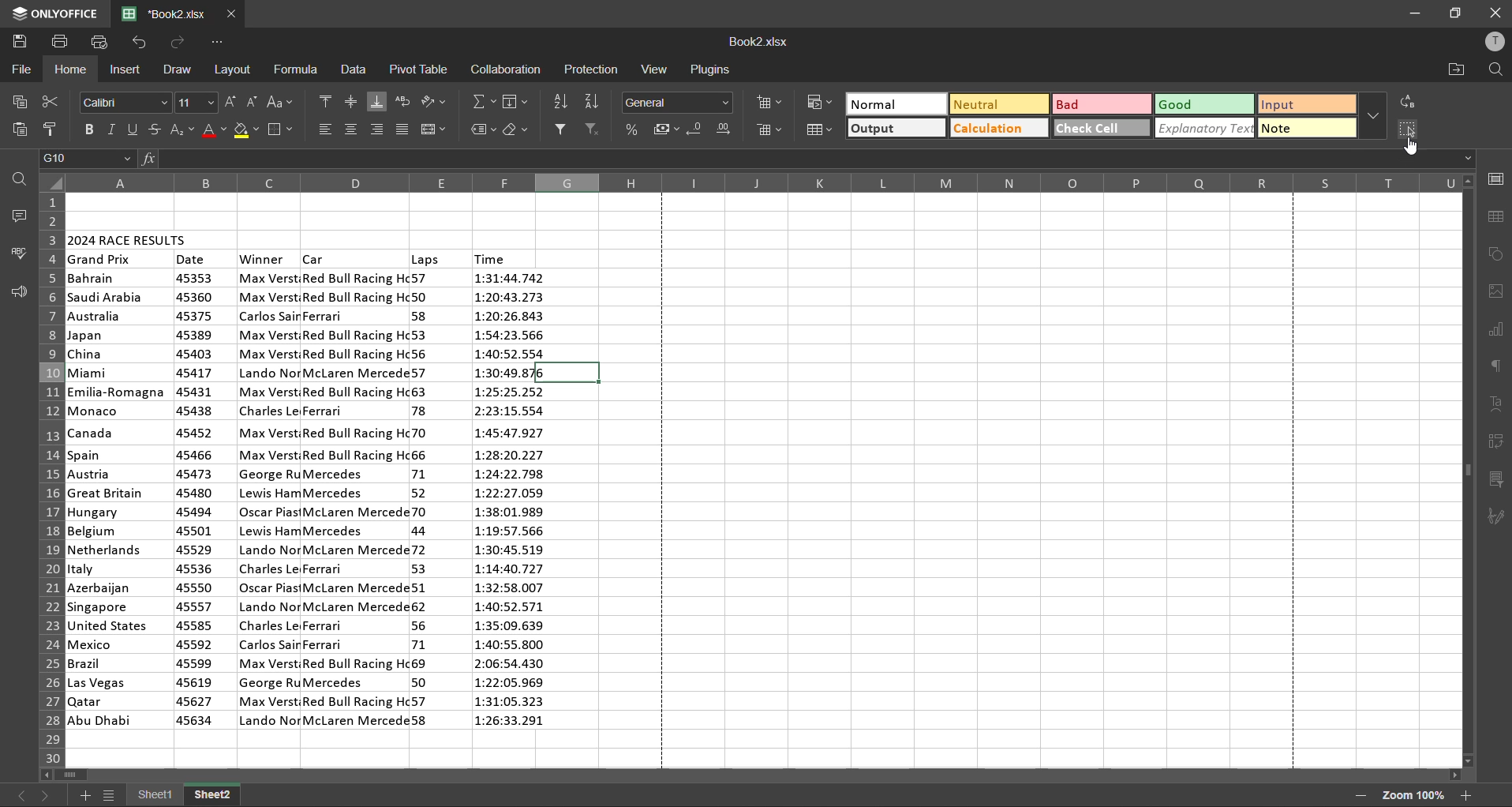  What do you see at coordinates (1373, 116) in the screenshot?
I see `more options` at bounding box center [1373, 116].